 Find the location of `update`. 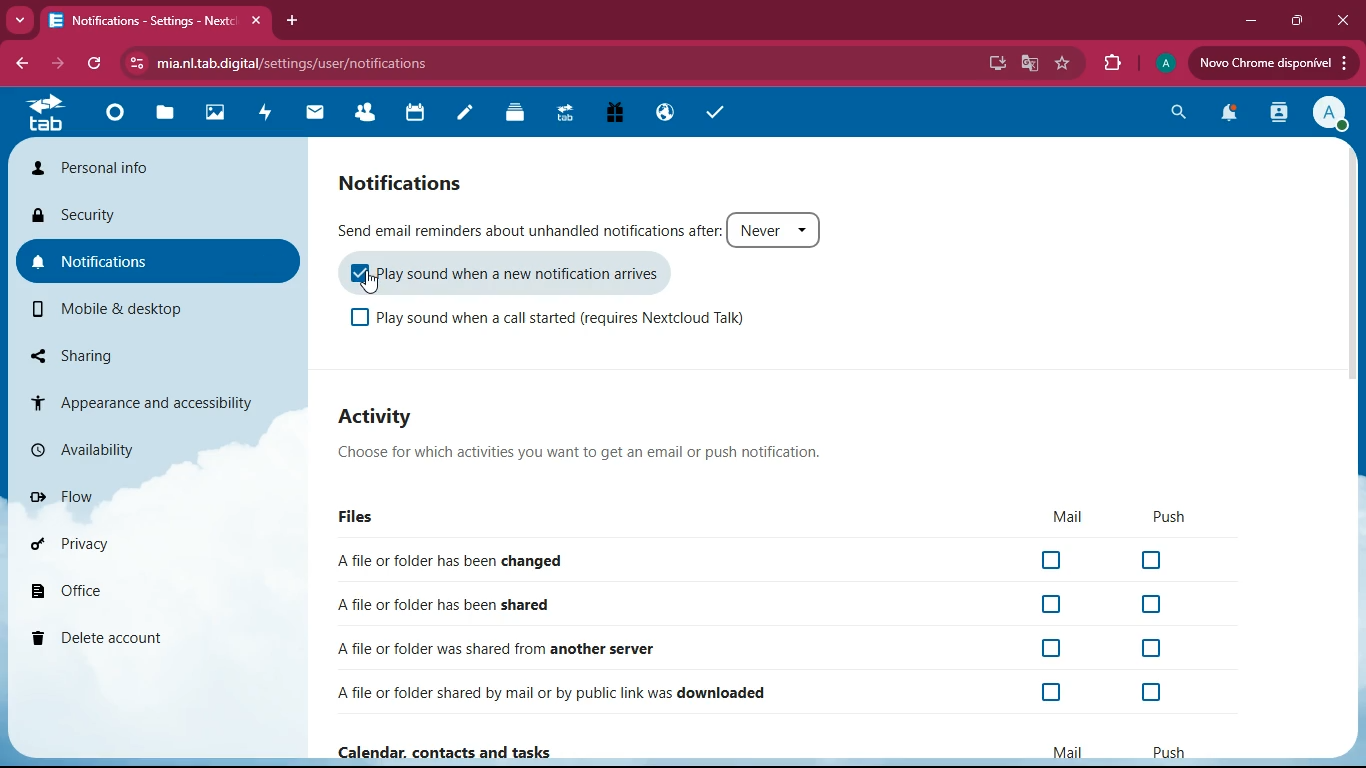

update is located at coordinates (1272, 64).